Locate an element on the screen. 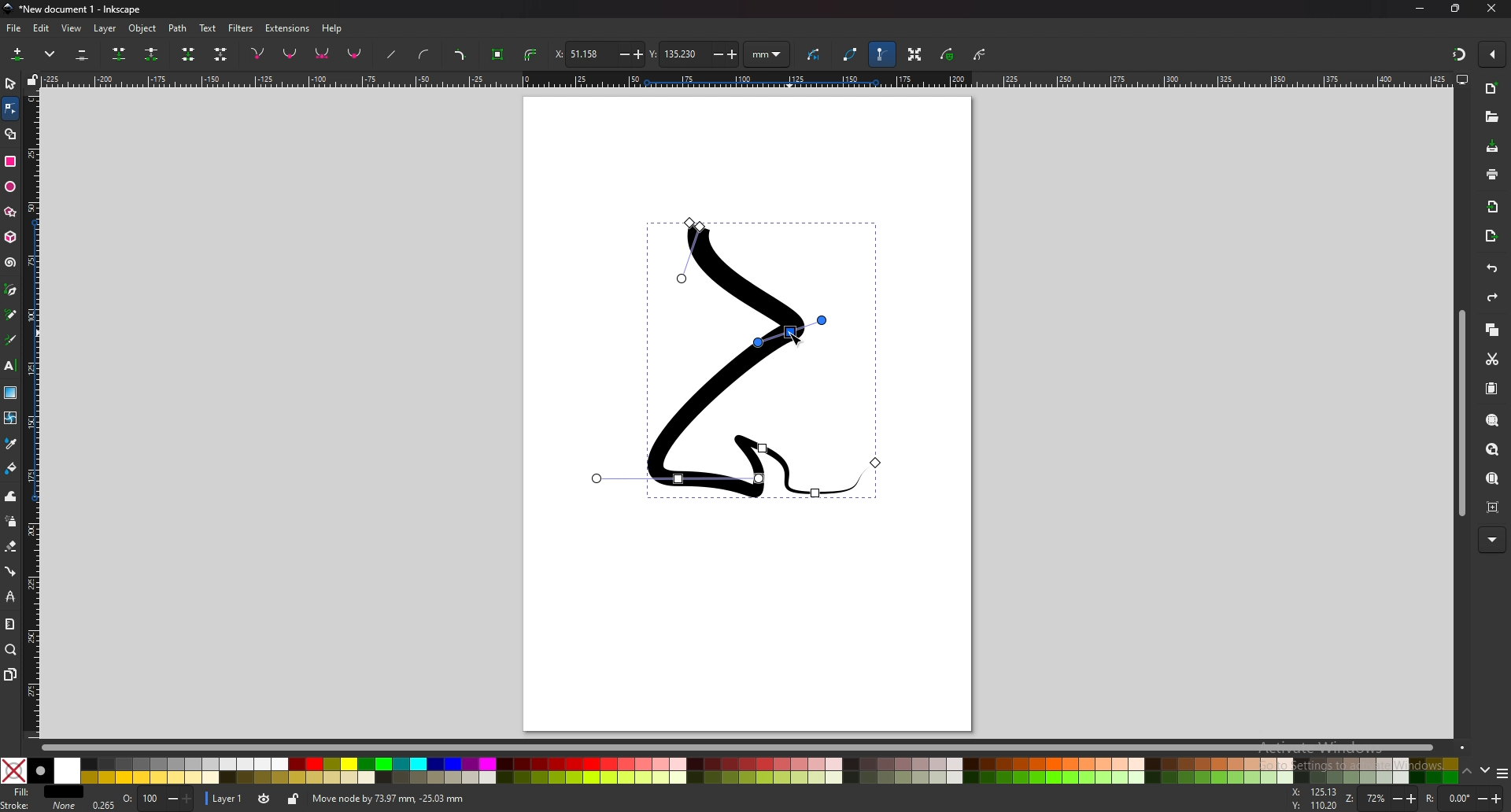 This screenshot has height=812, width=1511. undo is located at coordinates (1489, 269).